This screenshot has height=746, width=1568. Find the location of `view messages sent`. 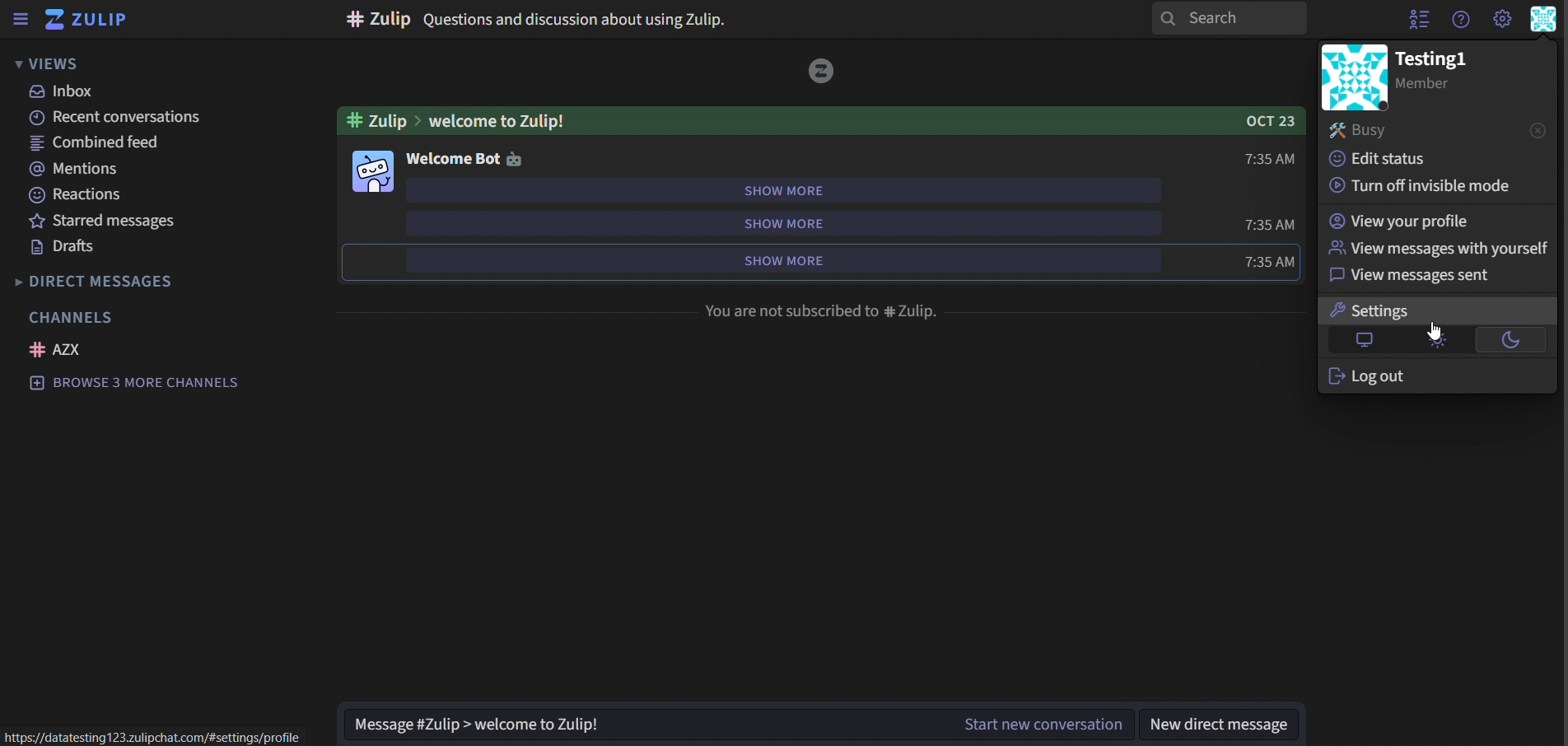

view messages sent is located at coordinates (1409, 276).